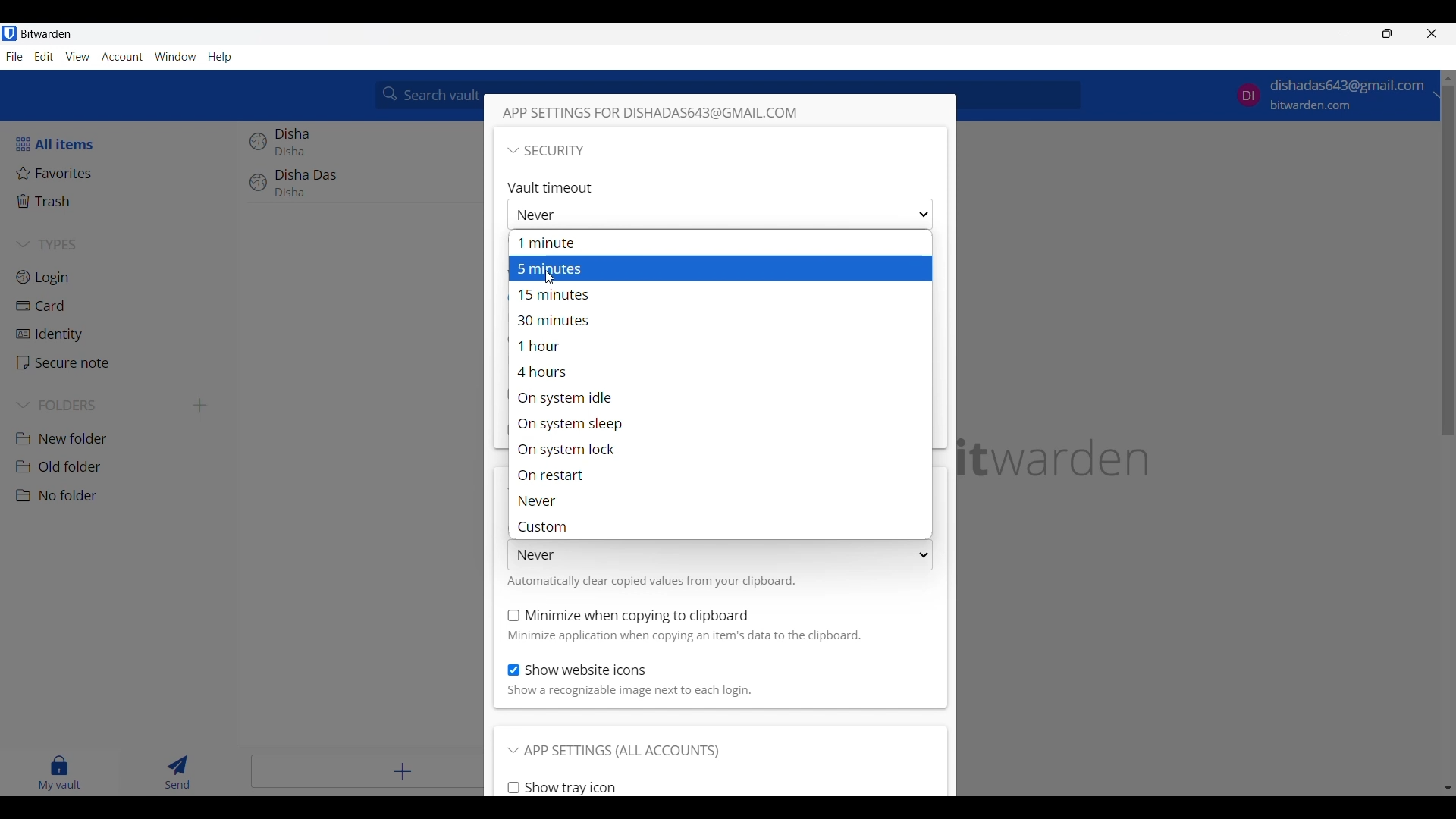 Image resolution: width=1456 pixels, height=819 pixels. Describe the element at coordinates (200, 406) in the screenshot. I see `Add new folder` at that location.